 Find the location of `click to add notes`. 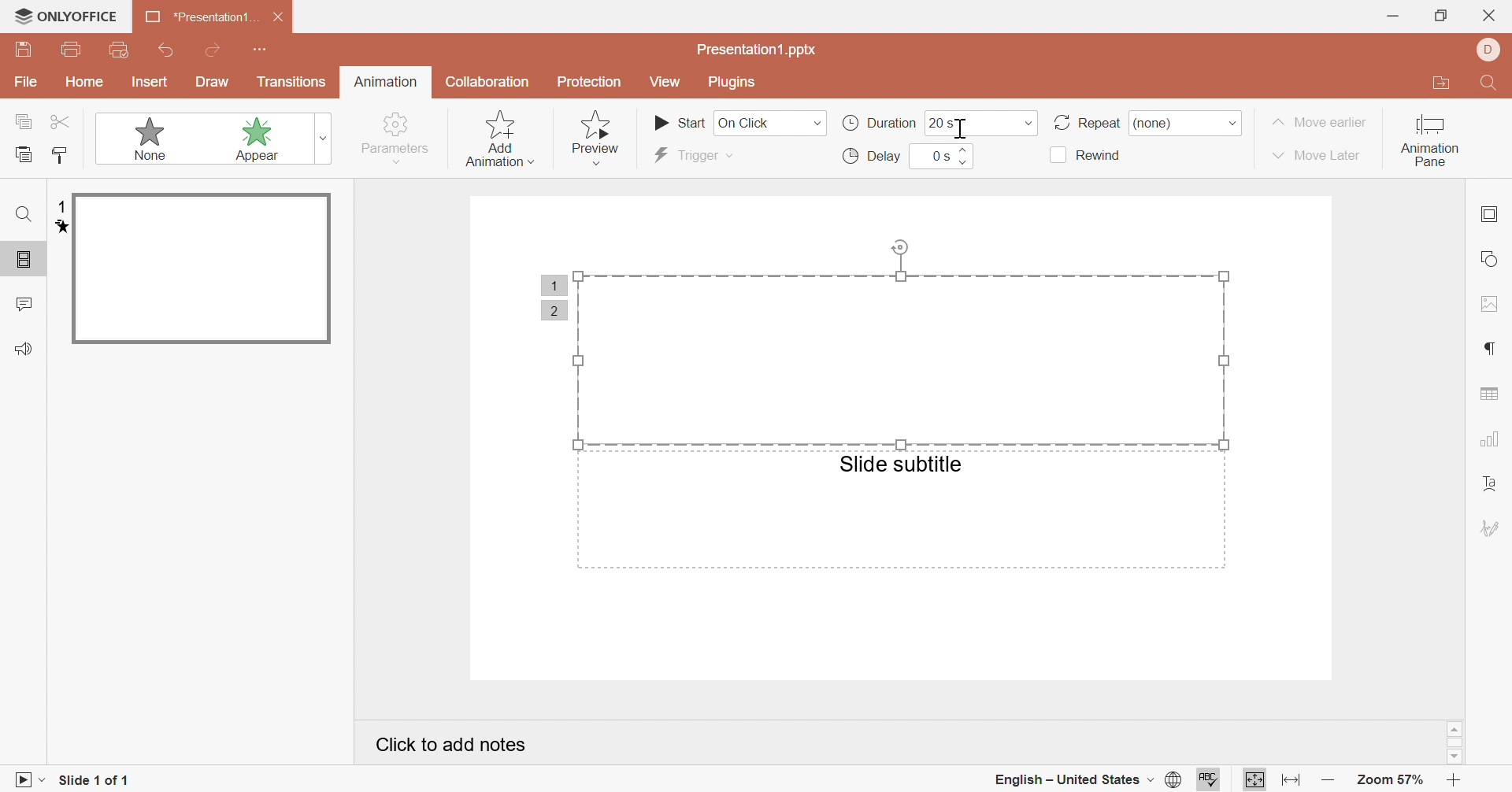

click to add notes is located at coordinates (448, 742).